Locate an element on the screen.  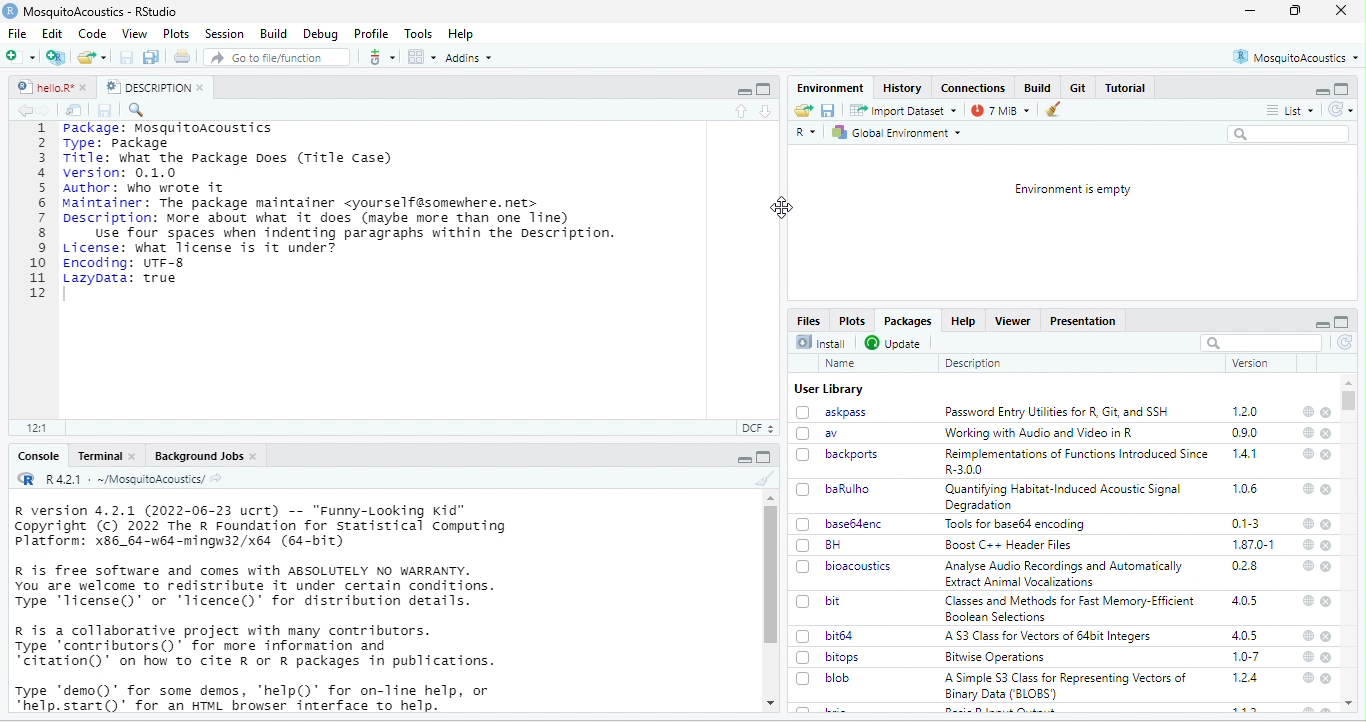
1.2.4 is located at coordinates (1247, 678).